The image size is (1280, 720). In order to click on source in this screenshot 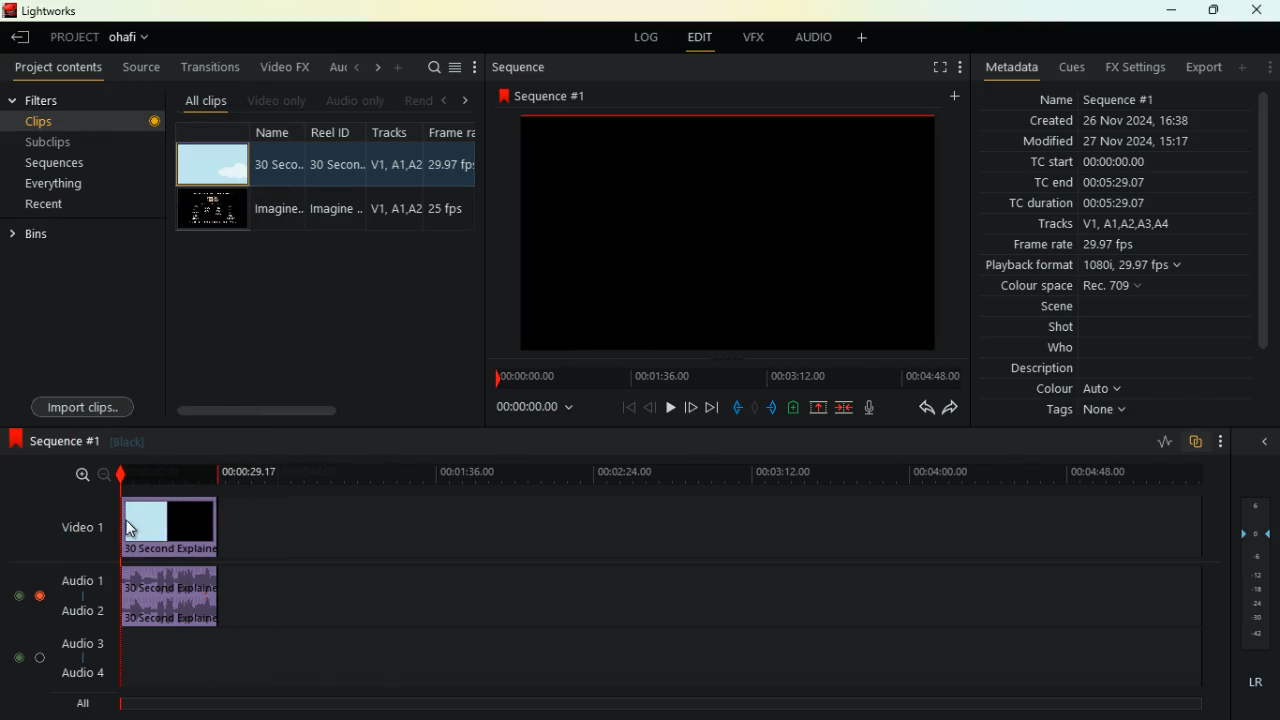, I will do `click(144, 69)`.